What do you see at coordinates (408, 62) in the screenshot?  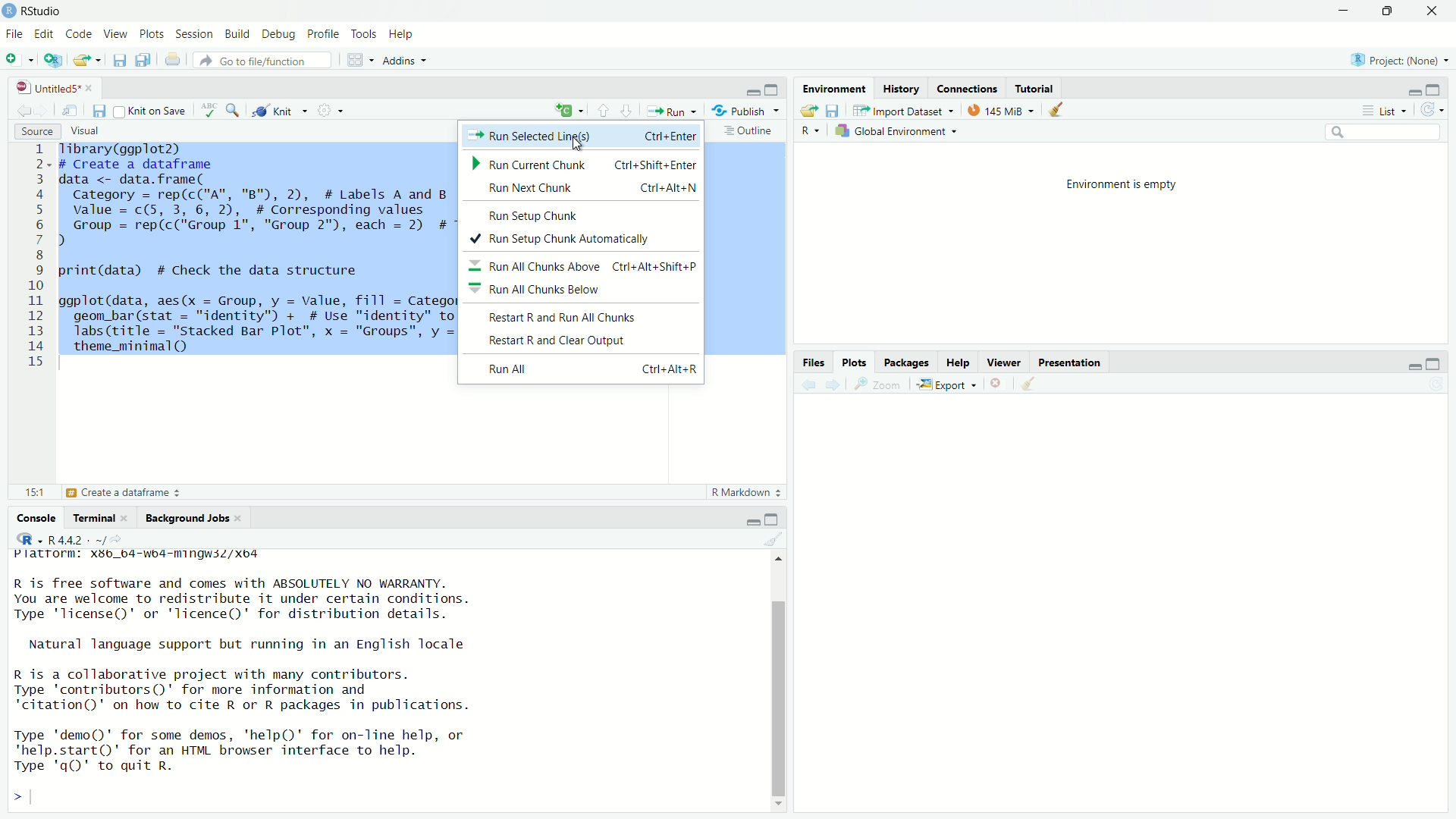 I see `Addins` at bounding box center [408, 62].